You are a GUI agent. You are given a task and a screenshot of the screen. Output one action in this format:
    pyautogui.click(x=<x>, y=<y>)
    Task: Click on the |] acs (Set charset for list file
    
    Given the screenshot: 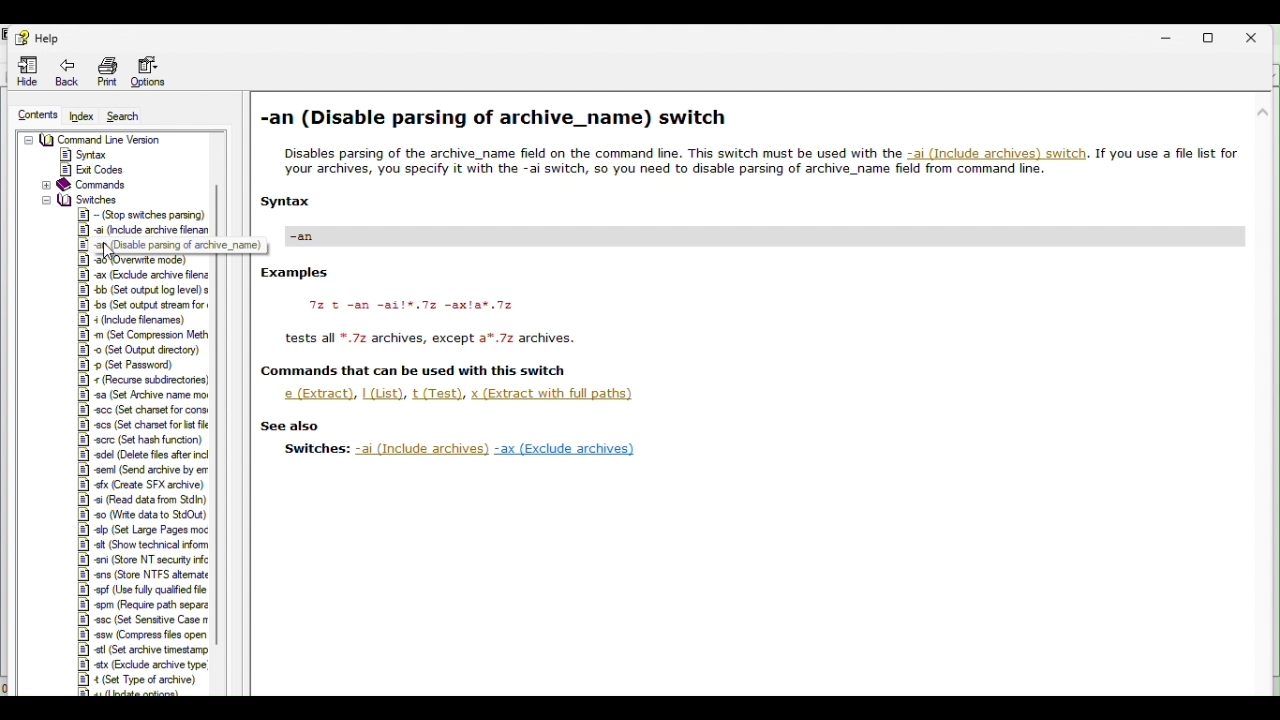 What is the action you would take?
    pyautogui.click(x=142, y=426)
    